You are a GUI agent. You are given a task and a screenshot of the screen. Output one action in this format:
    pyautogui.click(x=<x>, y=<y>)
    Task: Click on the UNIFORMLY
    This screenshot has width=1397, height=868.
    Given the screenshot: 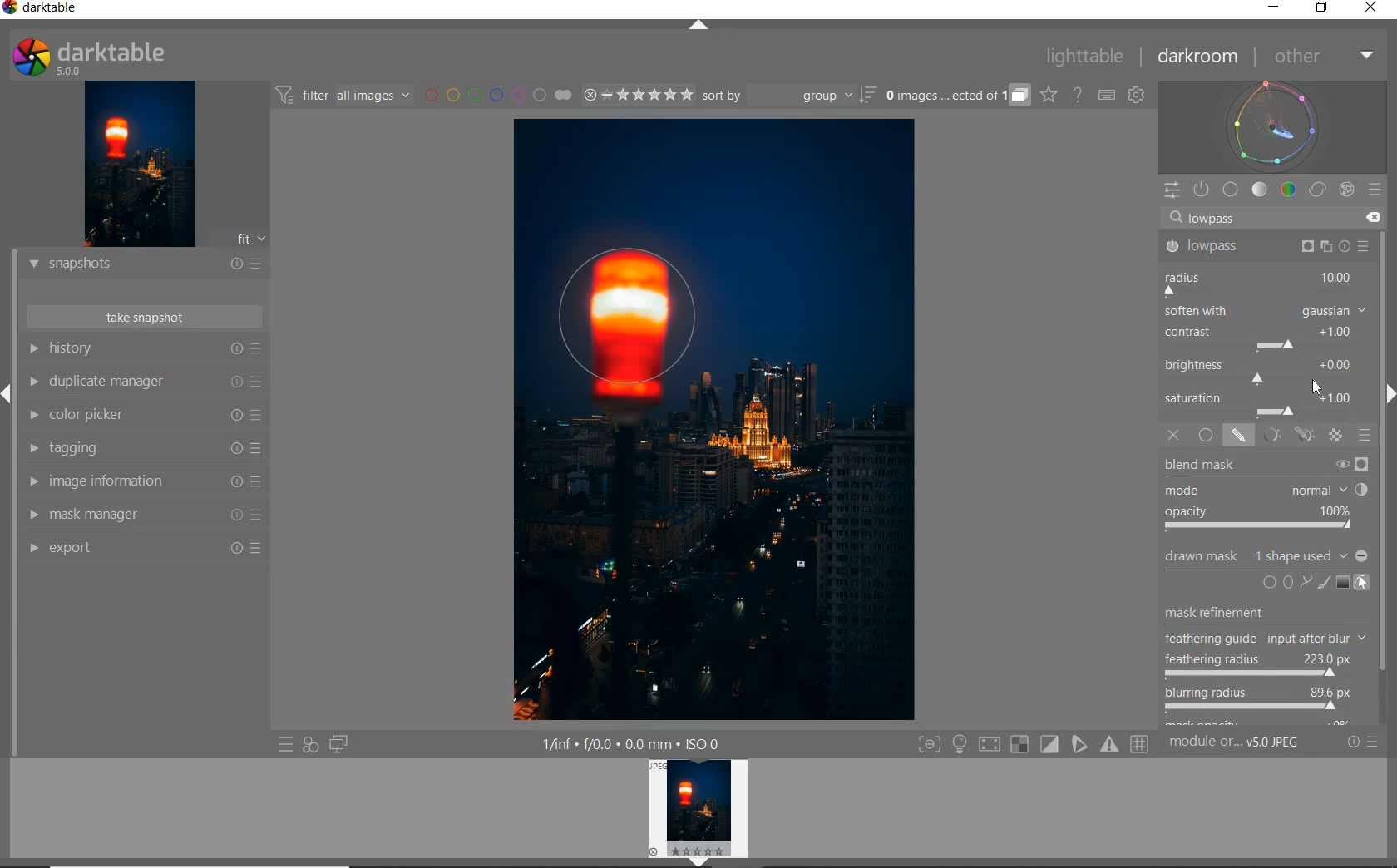 What is the action you would take?
    pyautogui.click(x=1207, y=436)
    